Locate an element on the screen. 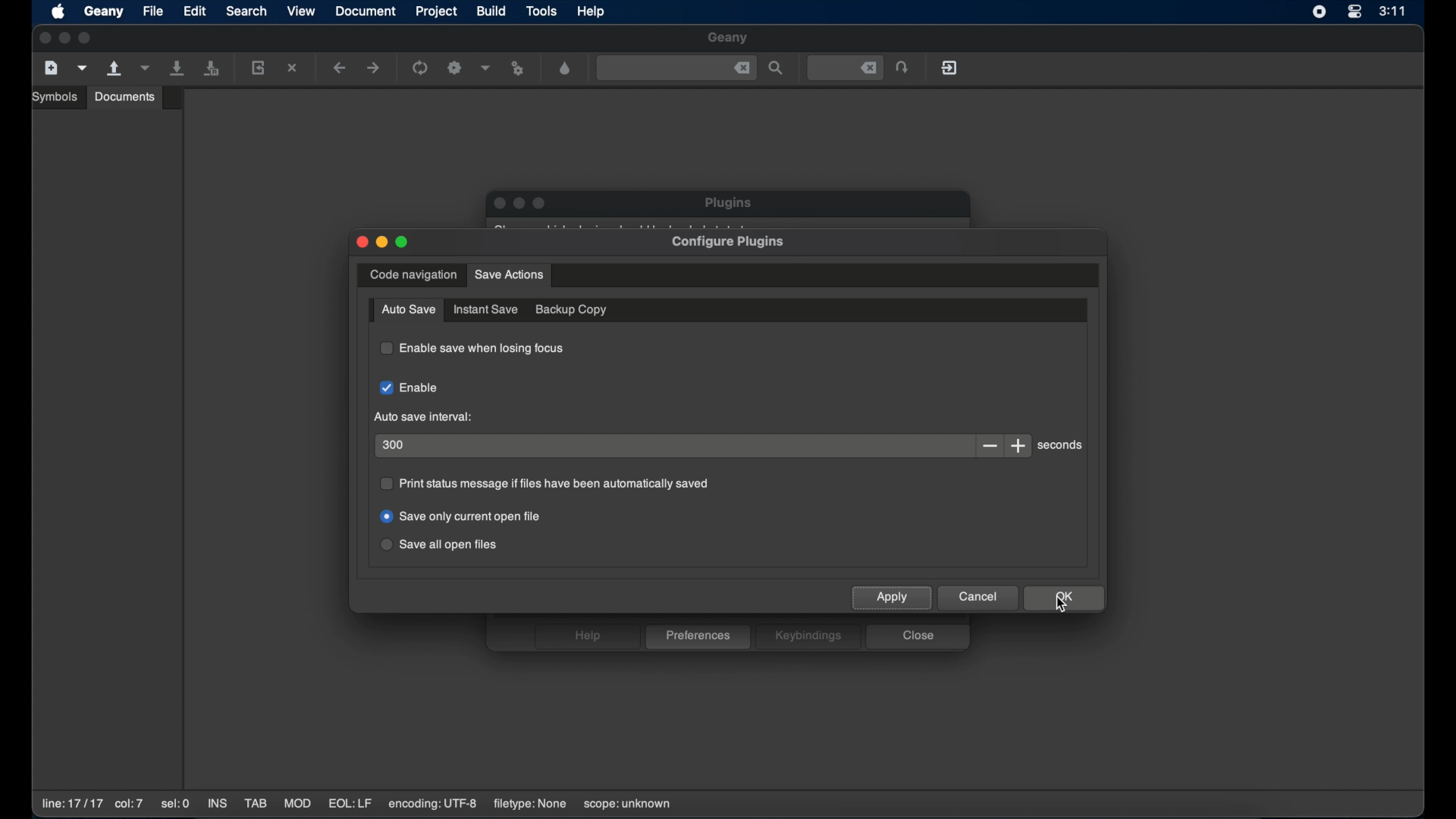 The image size is (1456, 819). print status message if files  have been automatically saved radio button is located at coordinates (545, 483).